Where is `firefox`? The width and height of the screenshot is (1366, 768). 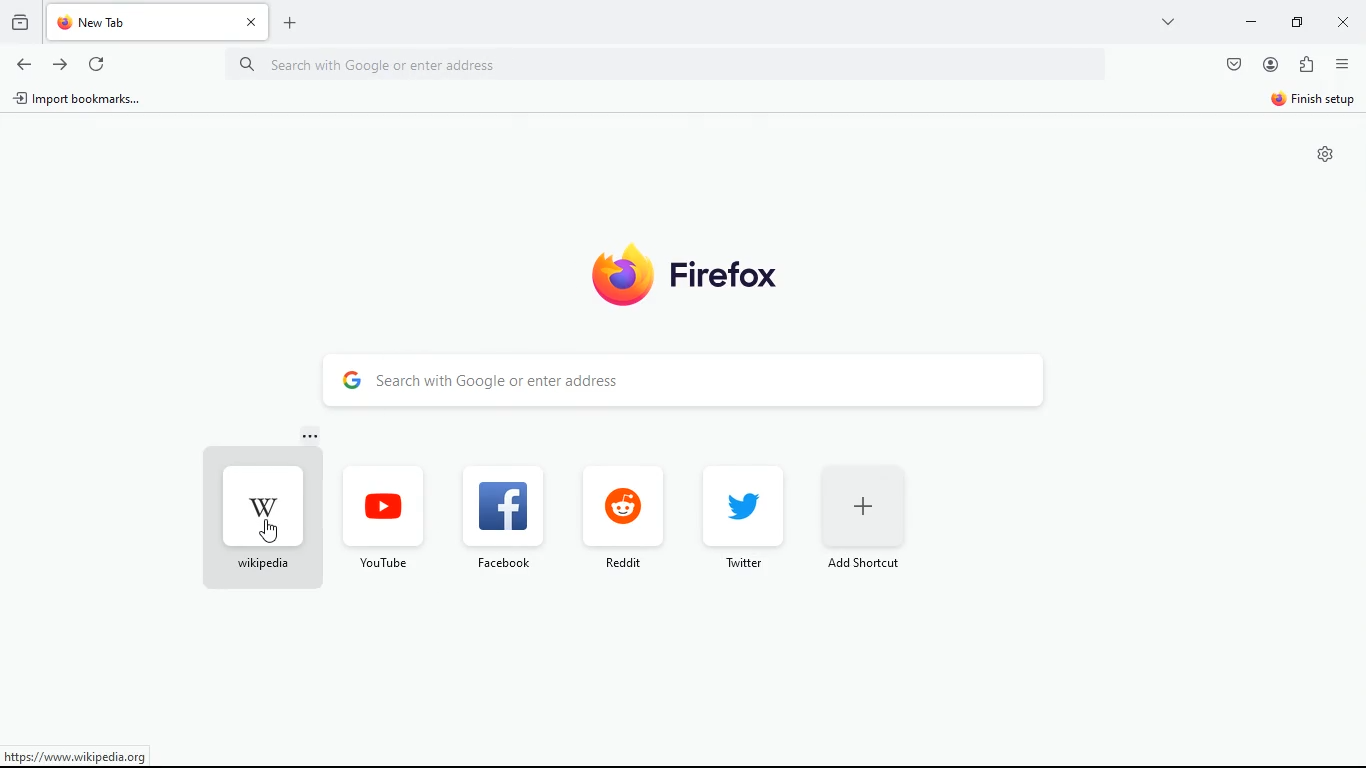
firefox is located at coordinates (693, 273).